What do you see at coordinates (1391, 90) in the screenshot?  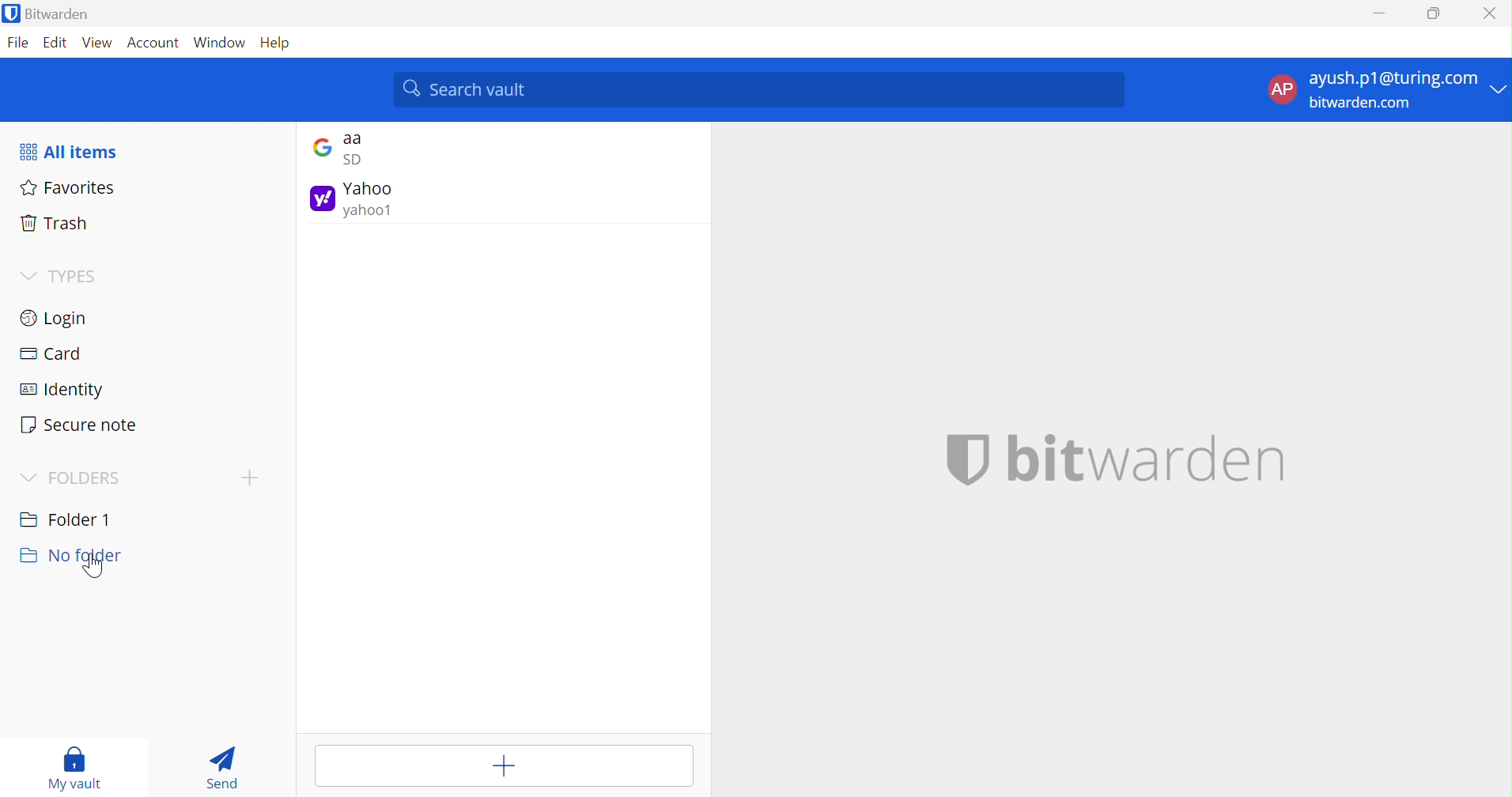 I see `account options` at bounding box center [1391, 90].